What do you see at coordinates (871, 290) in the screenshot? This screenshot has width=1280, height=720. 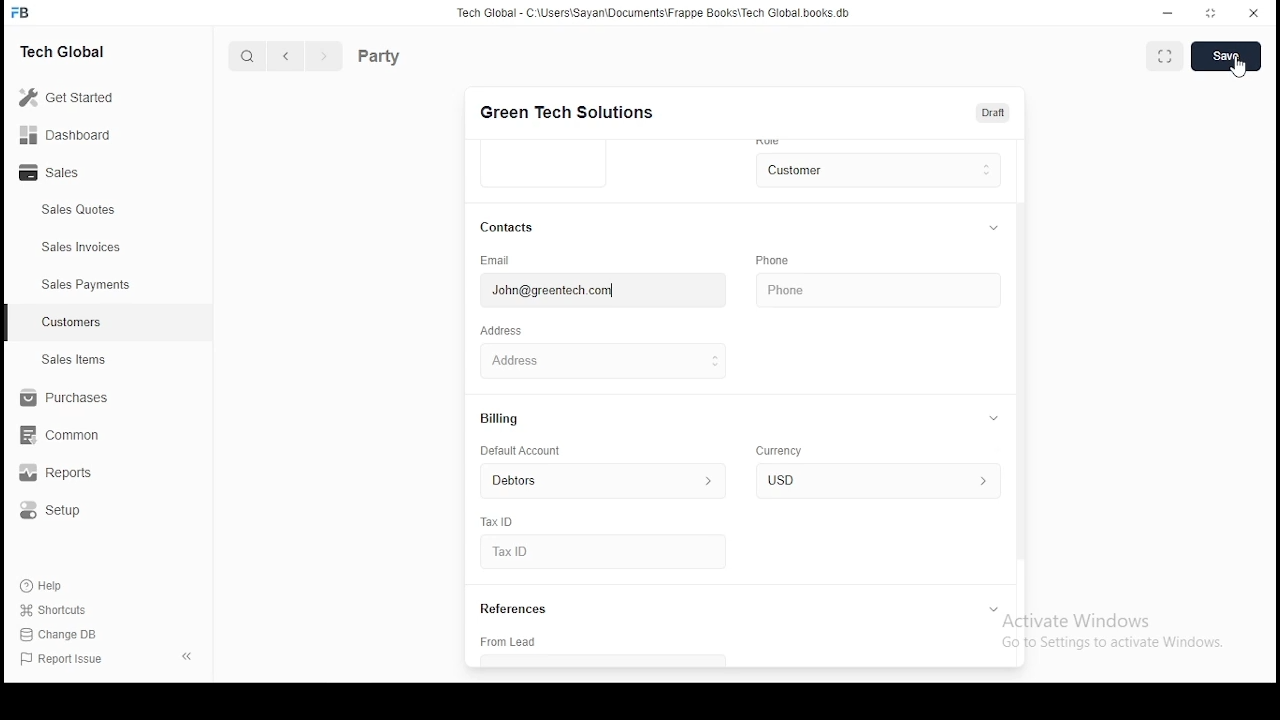 I see `phone` at bounding box center [871, 290].